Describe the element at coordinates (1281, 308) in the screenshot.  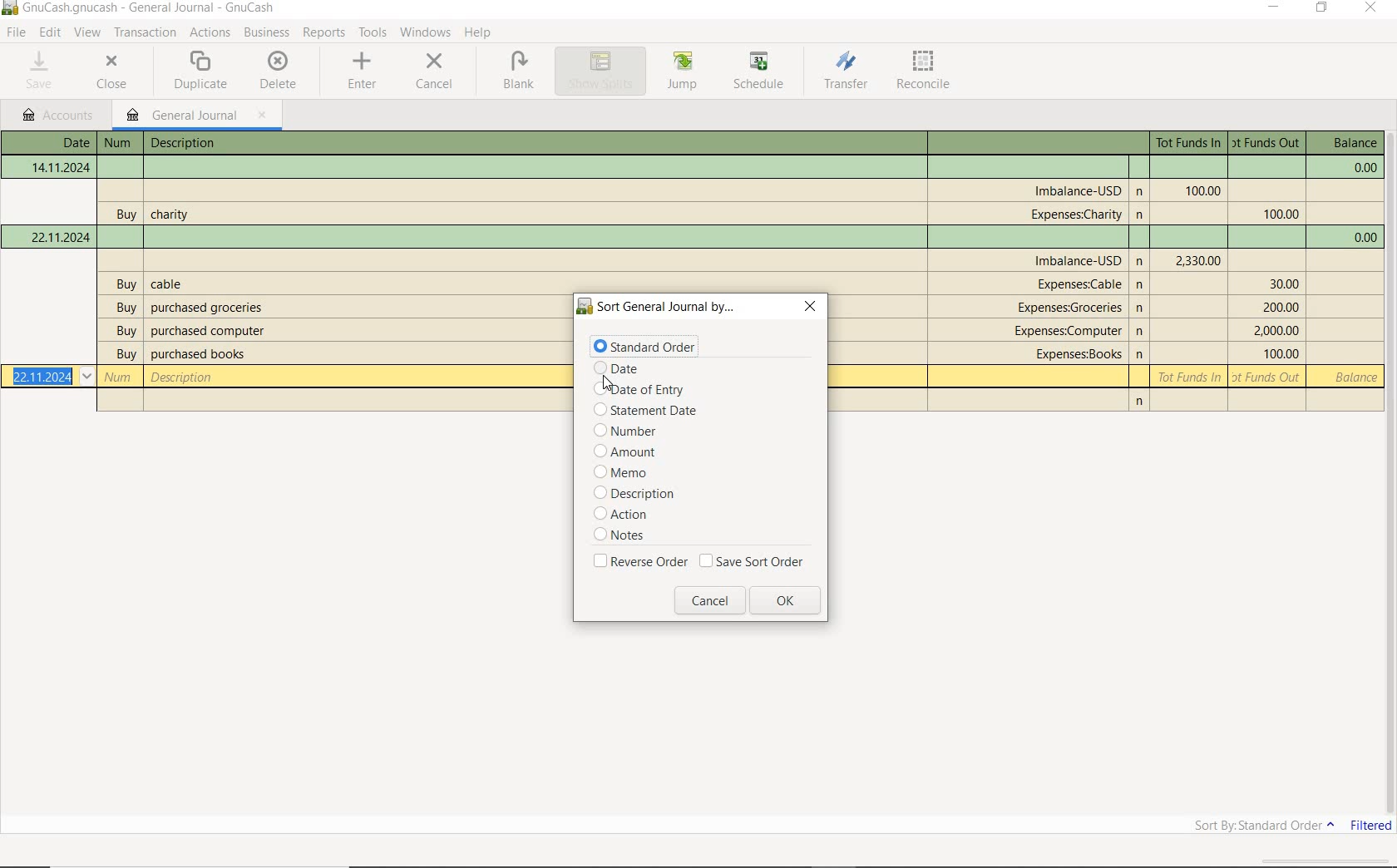
I see `Tot Funds Out` at that location.